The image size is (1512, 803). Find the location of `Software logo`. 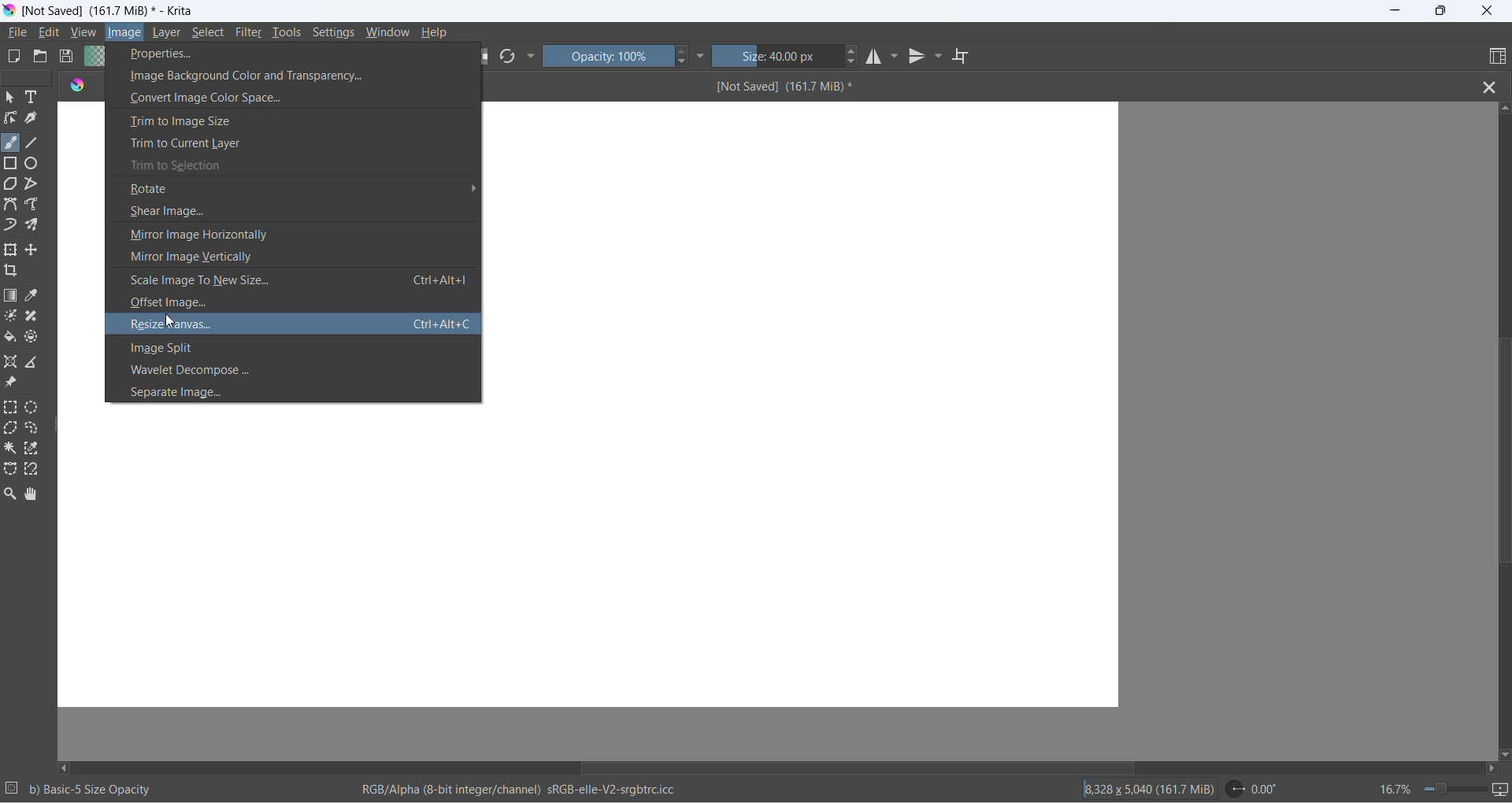

Software logo is located at coordinates (78, 87).